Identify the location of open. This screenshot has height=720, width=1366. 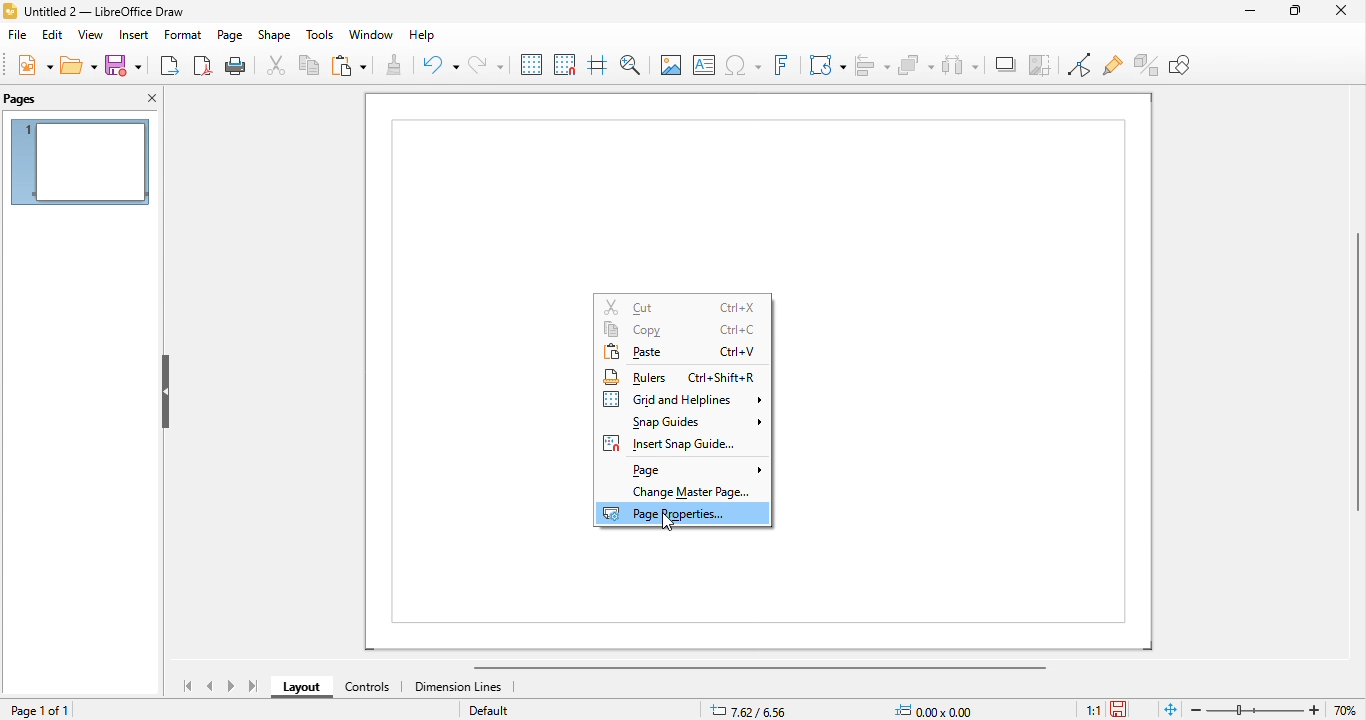
(79, 66).